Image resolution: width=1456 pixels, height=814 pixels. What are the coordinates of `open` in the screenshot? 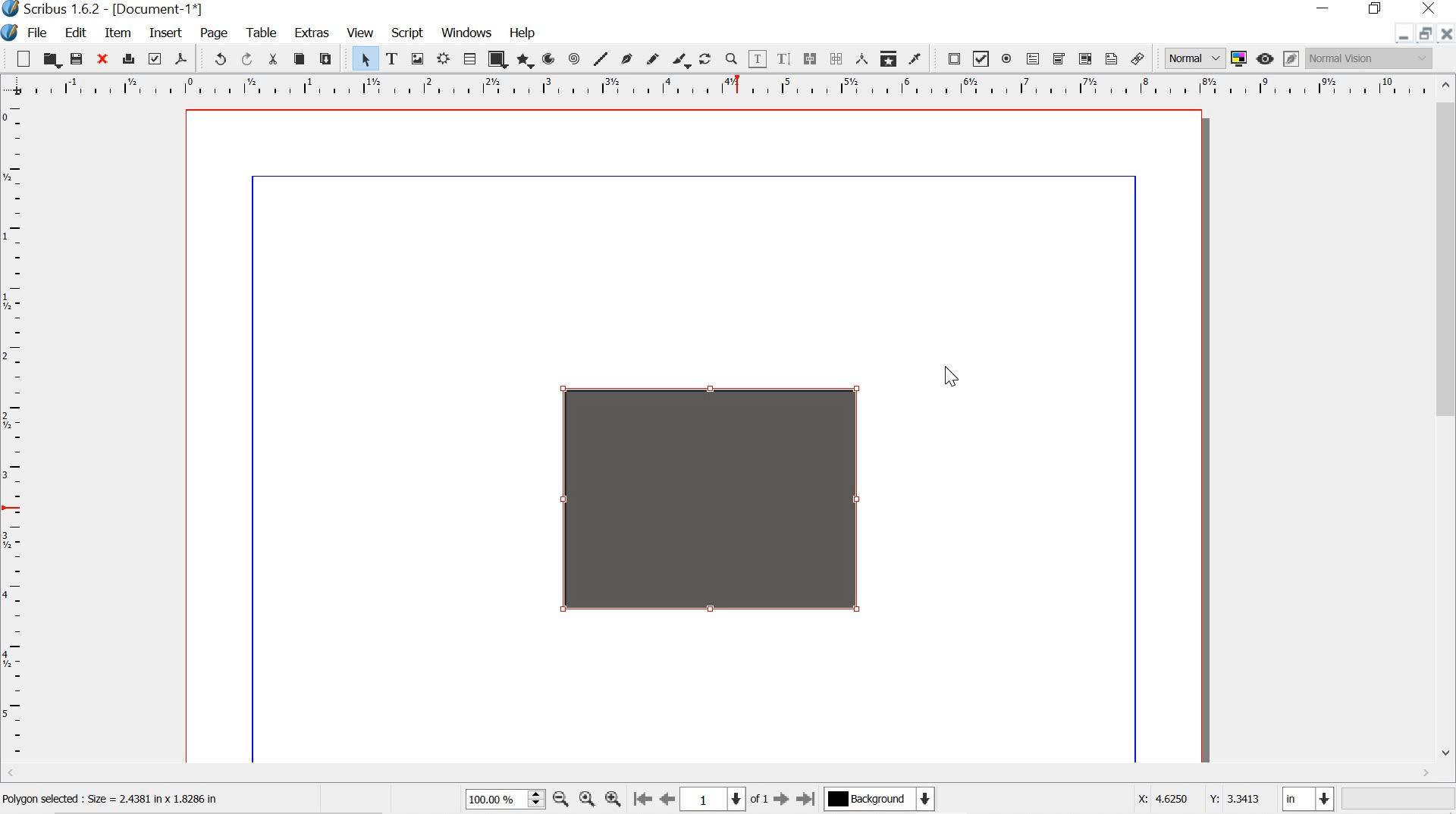 It's located at (50, 58).